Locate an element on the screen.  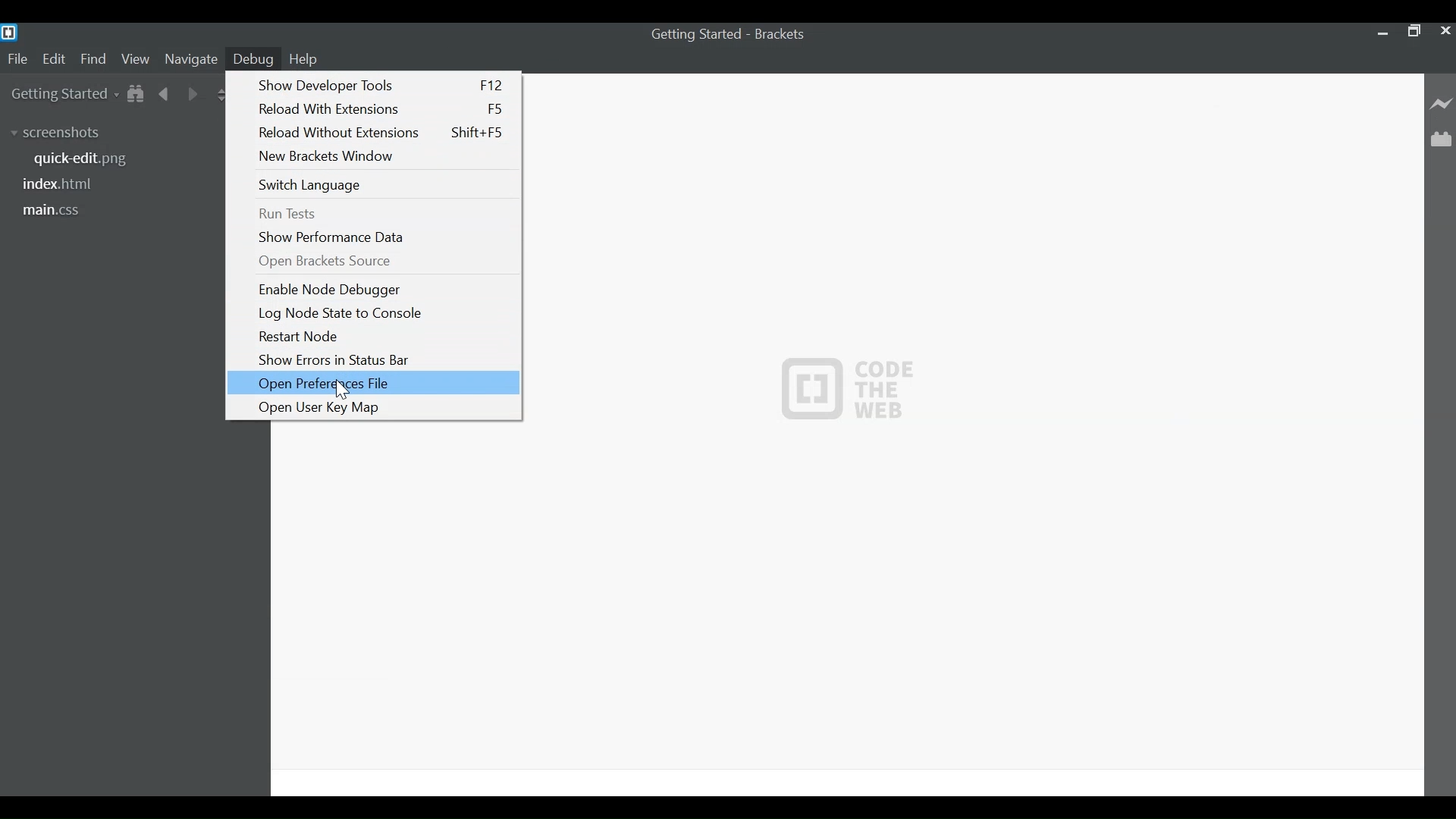
Navigate is located at coordinates (193, 58).